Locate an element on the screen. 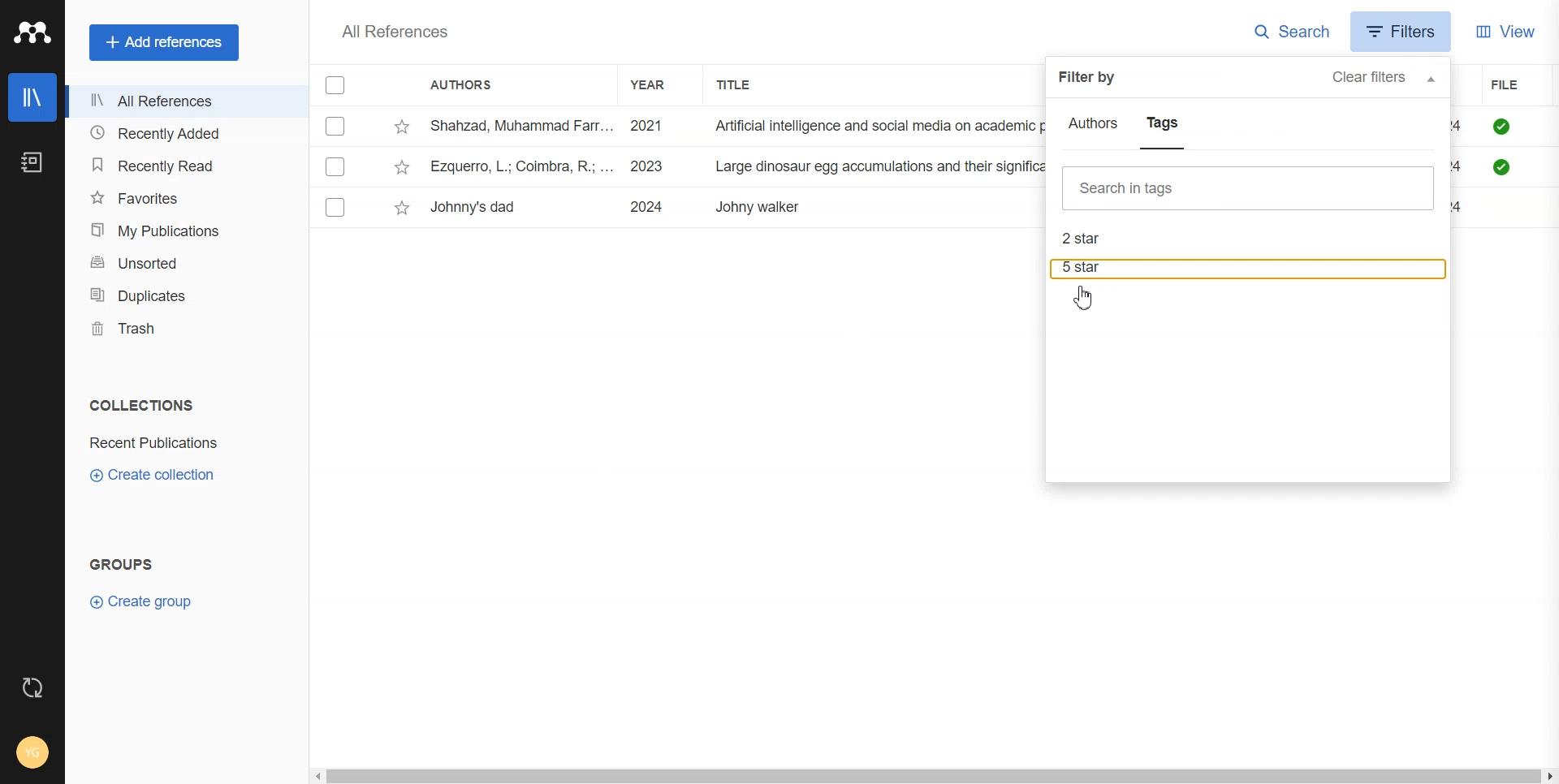 This screenshot has height=784, width=1559. My Publication is located at coordinates (182, 230).